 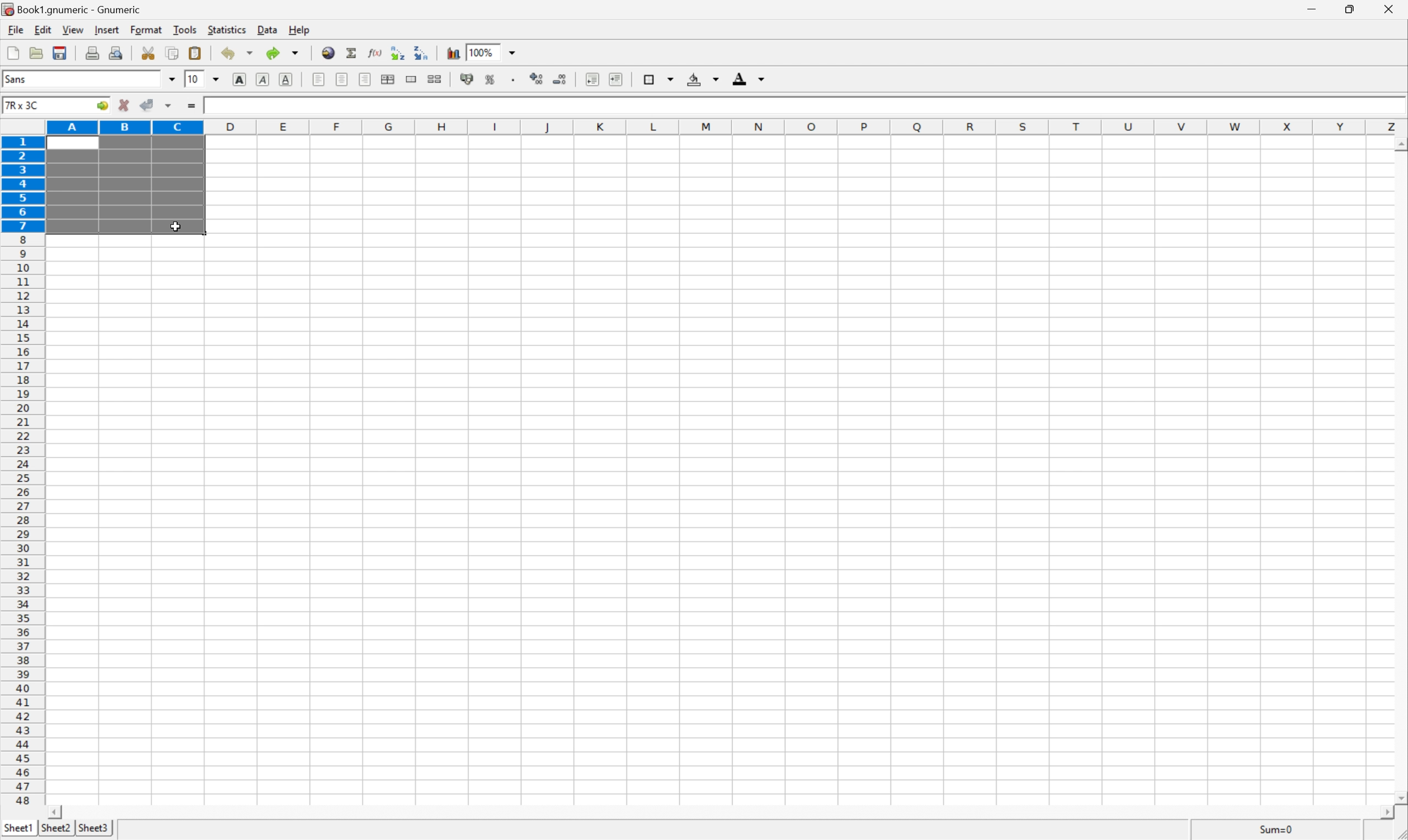 I want to click on increase indent, so click(x=613, y=78).